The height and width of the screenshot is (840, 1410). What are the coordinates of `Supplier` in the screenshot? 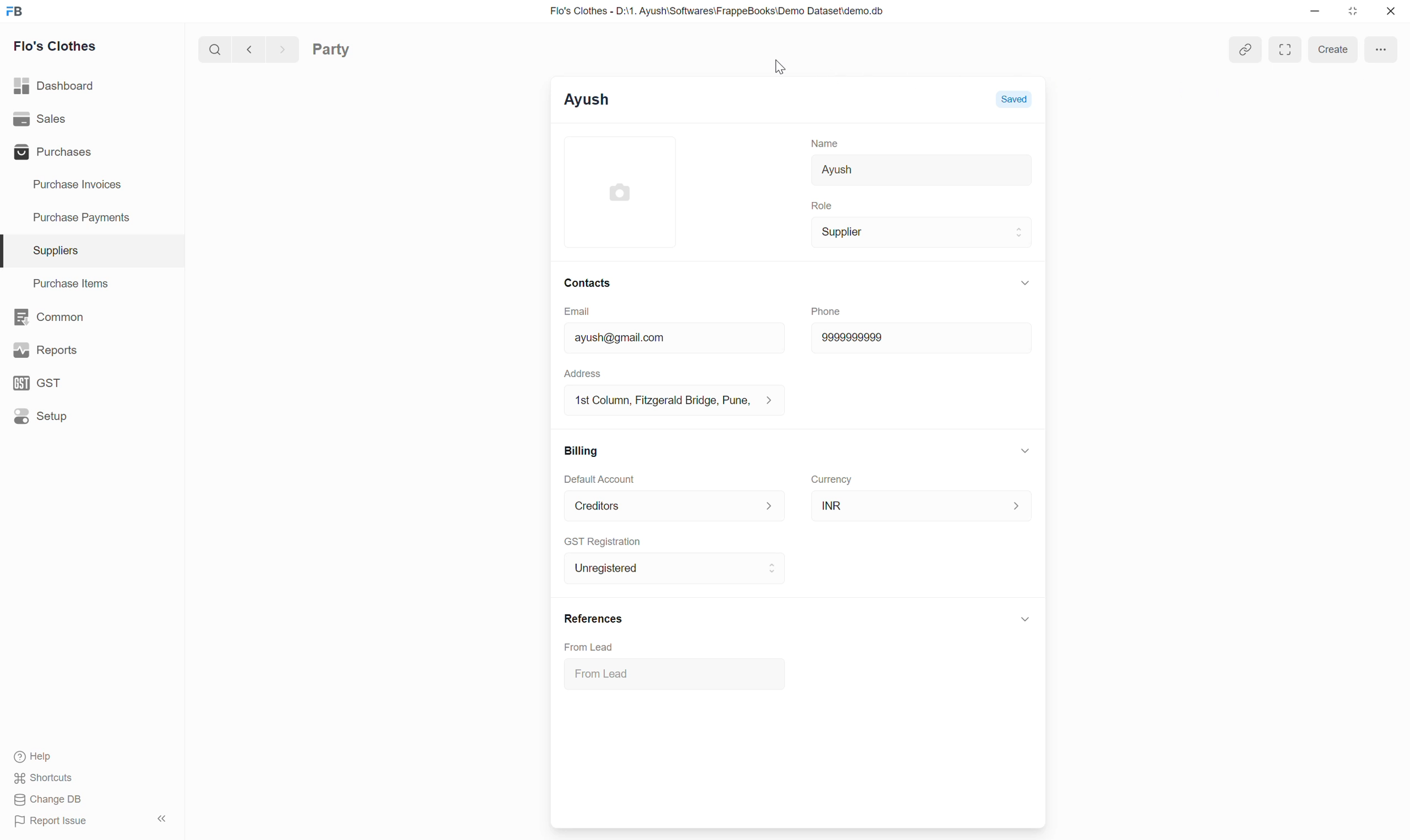 It's located at (921, 232).